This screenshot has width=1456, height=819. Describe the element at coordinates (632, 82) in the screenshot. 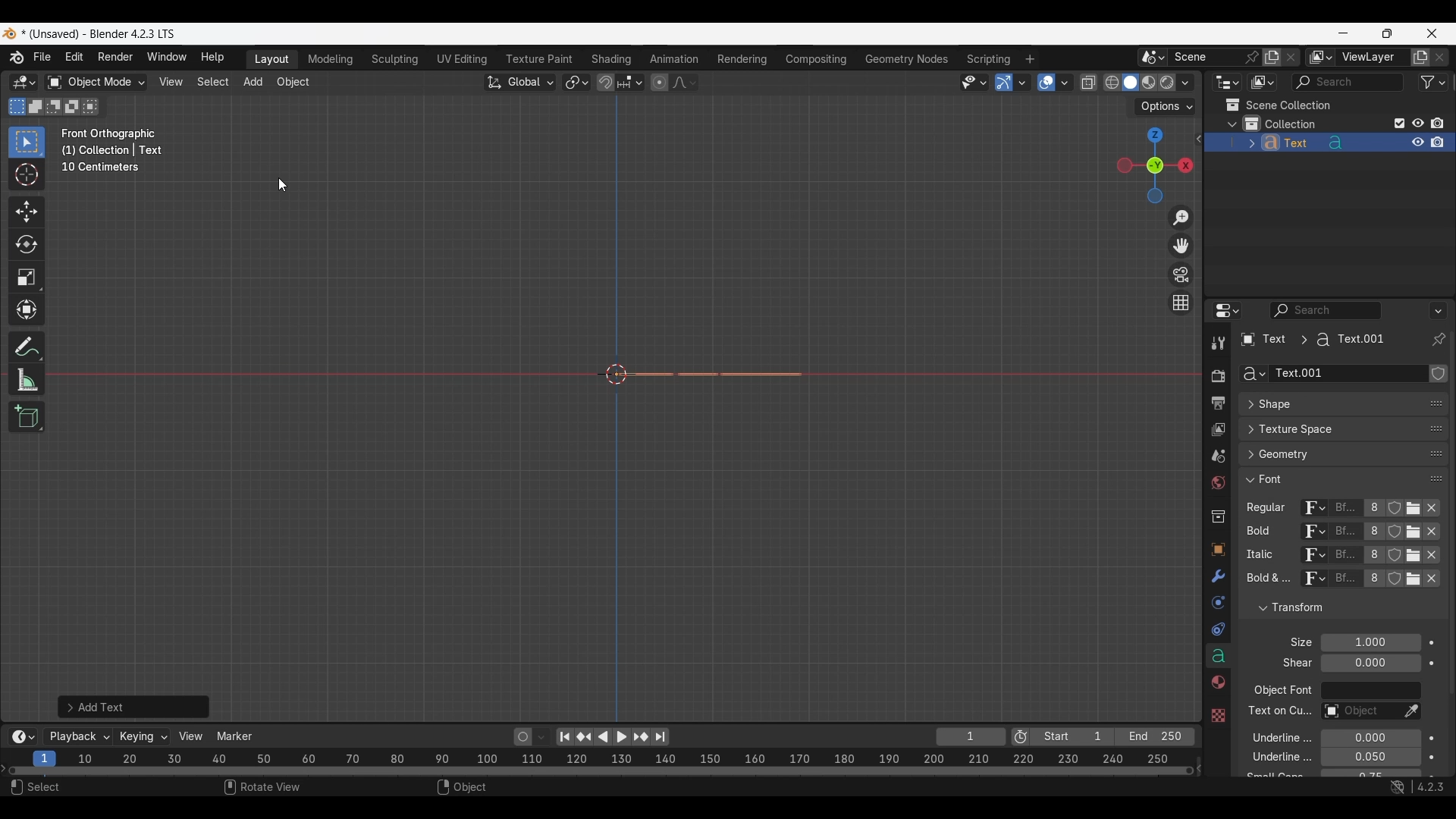

I see `Snapping options` at that location.